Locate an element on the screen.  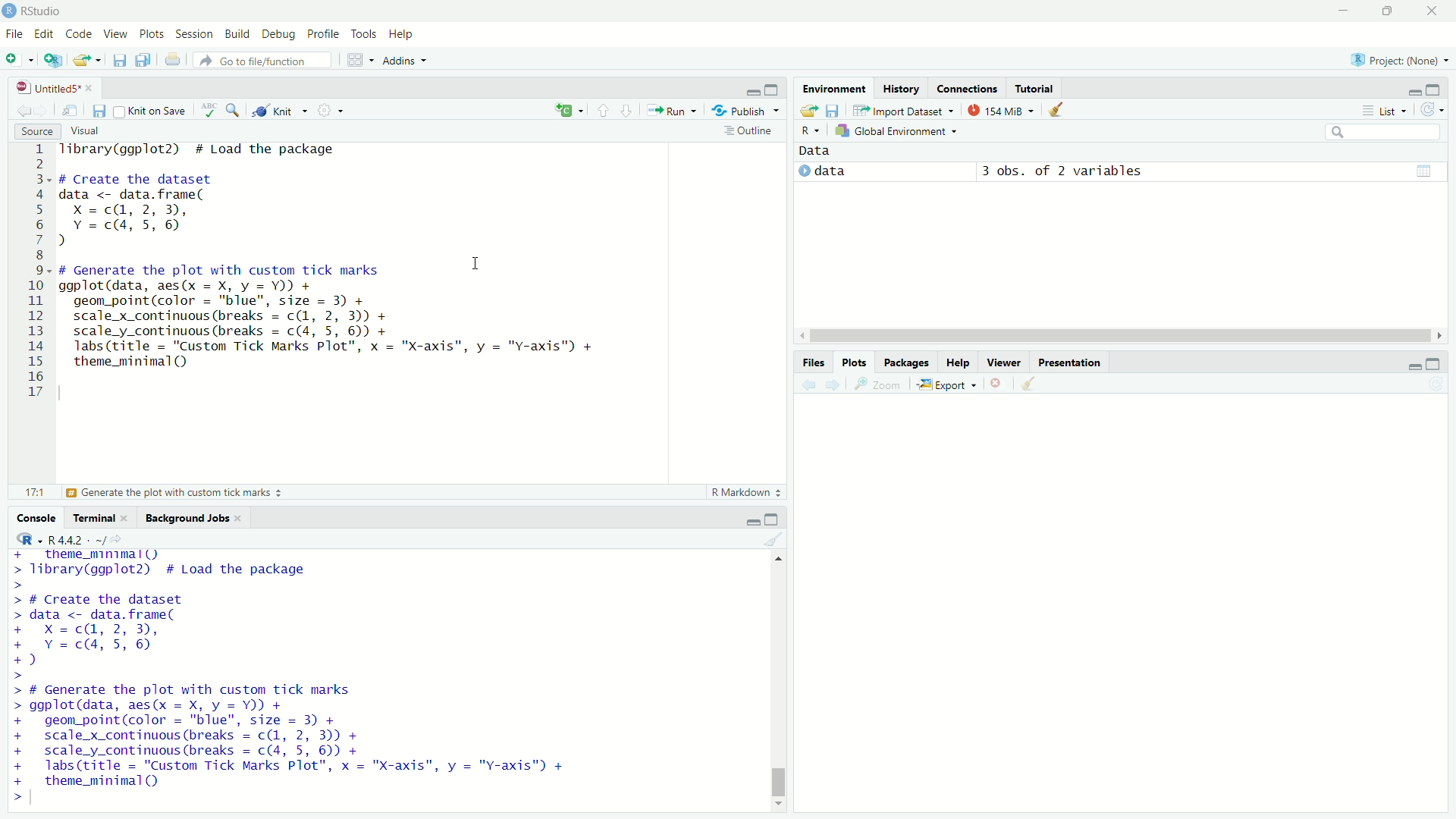
insert a code chunk is located at coordinates (568, 108).